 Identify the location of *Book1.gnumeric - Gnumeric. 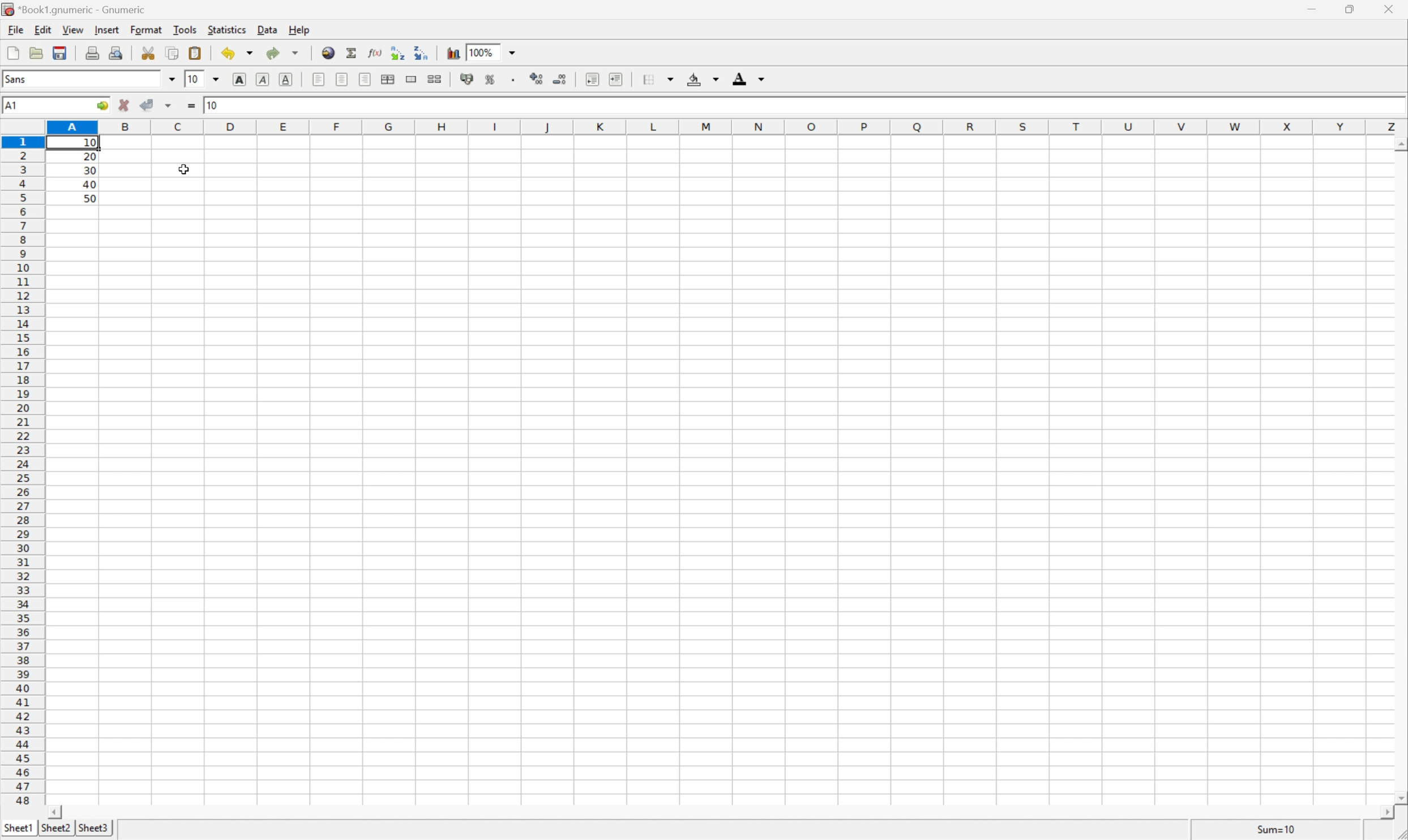
(79, 9).